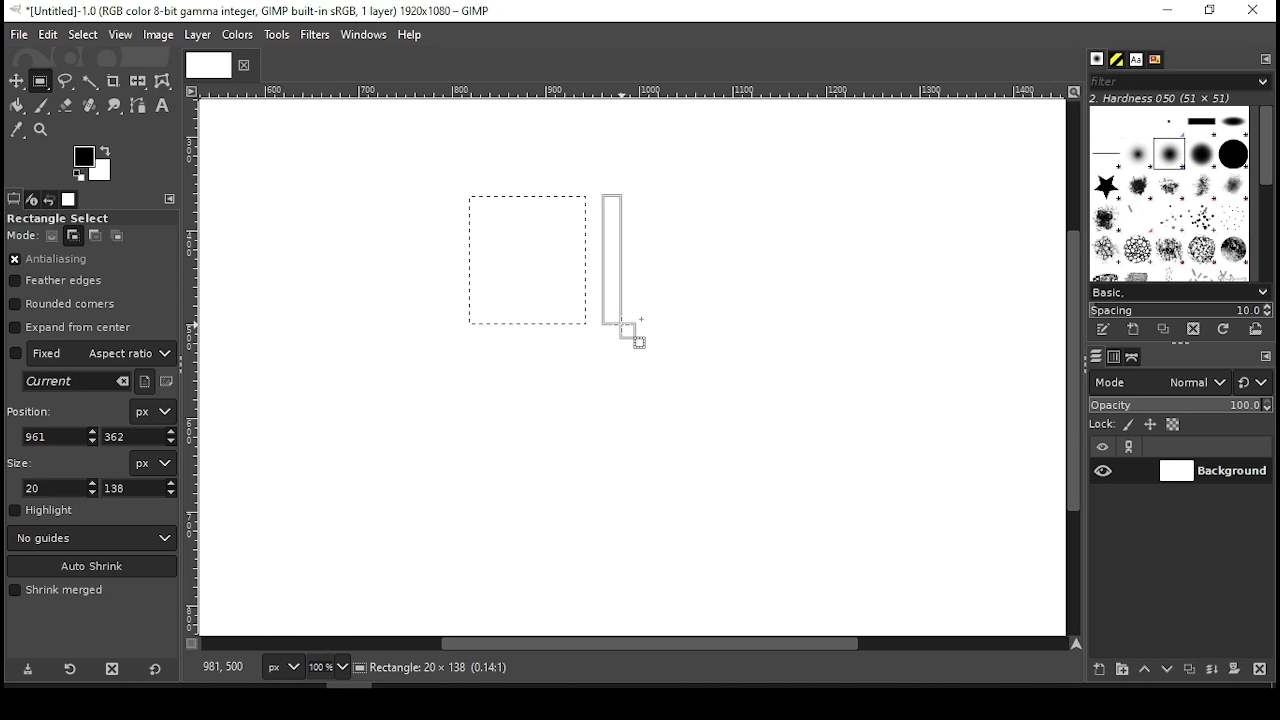 This screenshot has width=1280, height=720. What do you see at coordinates (221, 667) in the screenshot?
I see `818,363` at bounding box center [221, 667].